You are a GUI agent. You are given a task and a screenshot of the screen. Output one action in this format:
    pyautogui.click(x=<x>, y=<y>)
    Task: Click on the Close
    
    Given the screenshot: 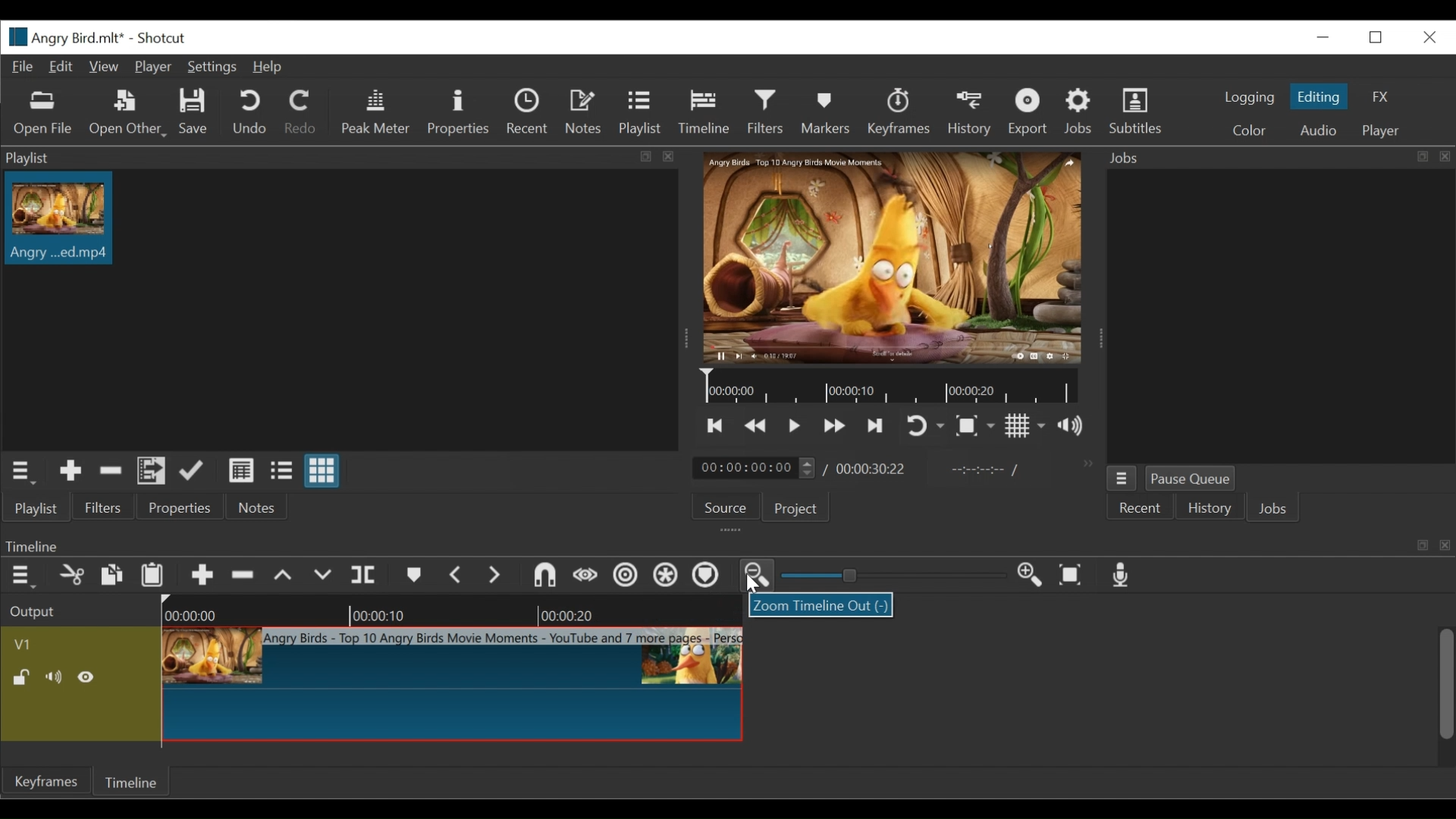 What is the action you would take?
    pyautogui.click(x=1430, y=38)
    